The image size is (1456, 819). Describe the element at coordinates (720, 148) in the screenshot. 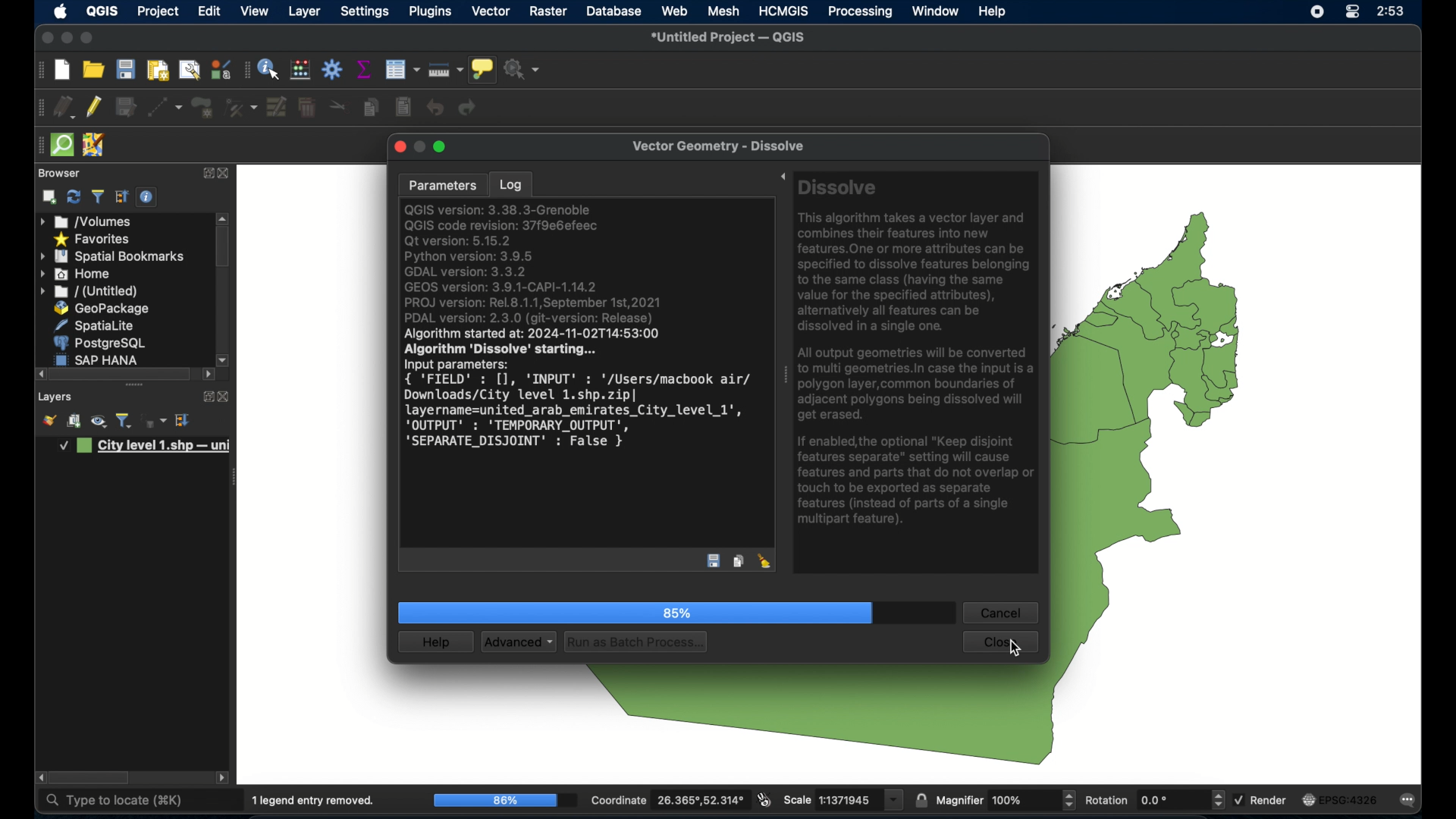

I see `vector geometry - dissolve` at that location.